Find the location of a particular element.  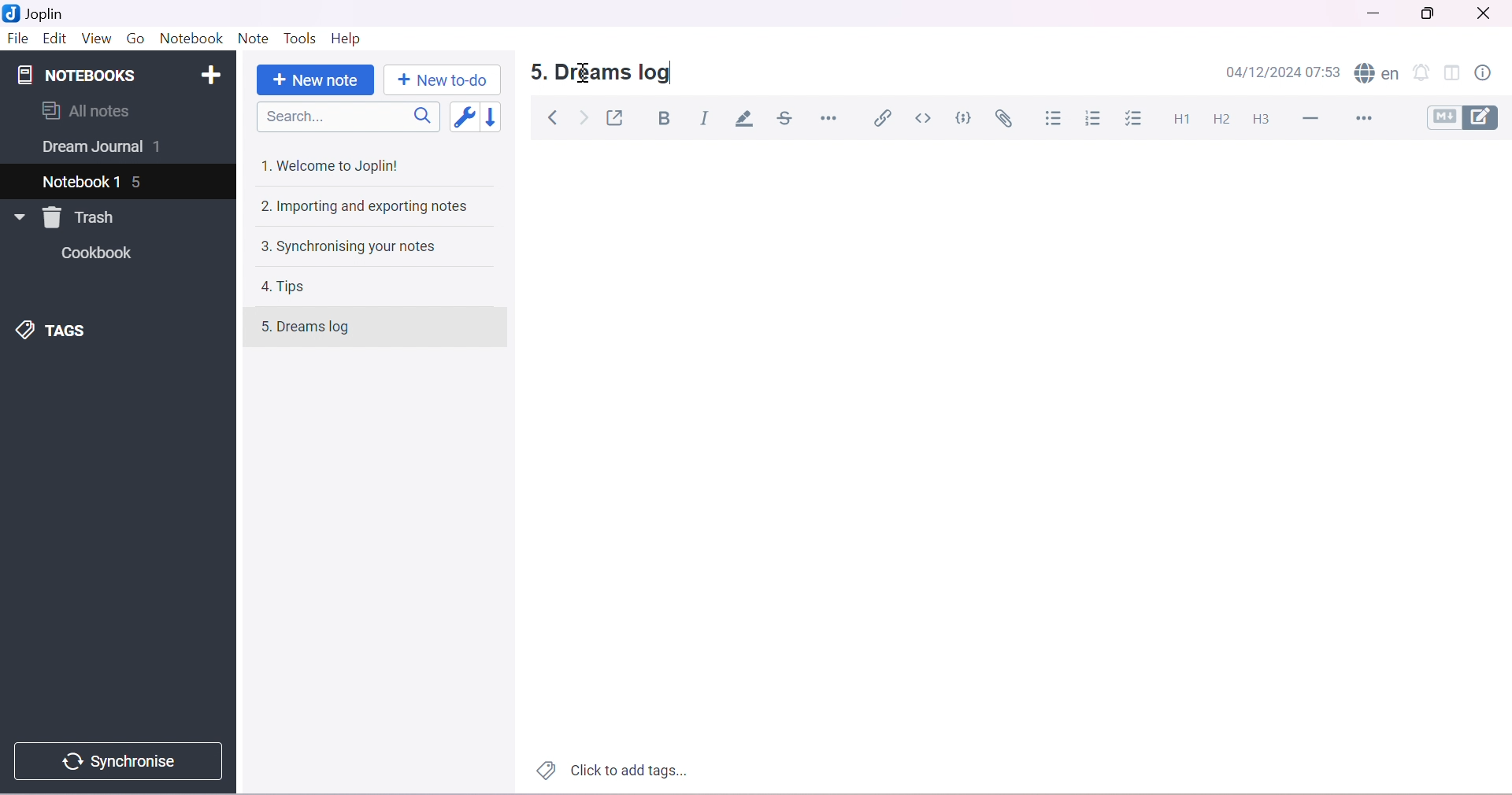

Toggle editors is located at coordinates (1467, 117).